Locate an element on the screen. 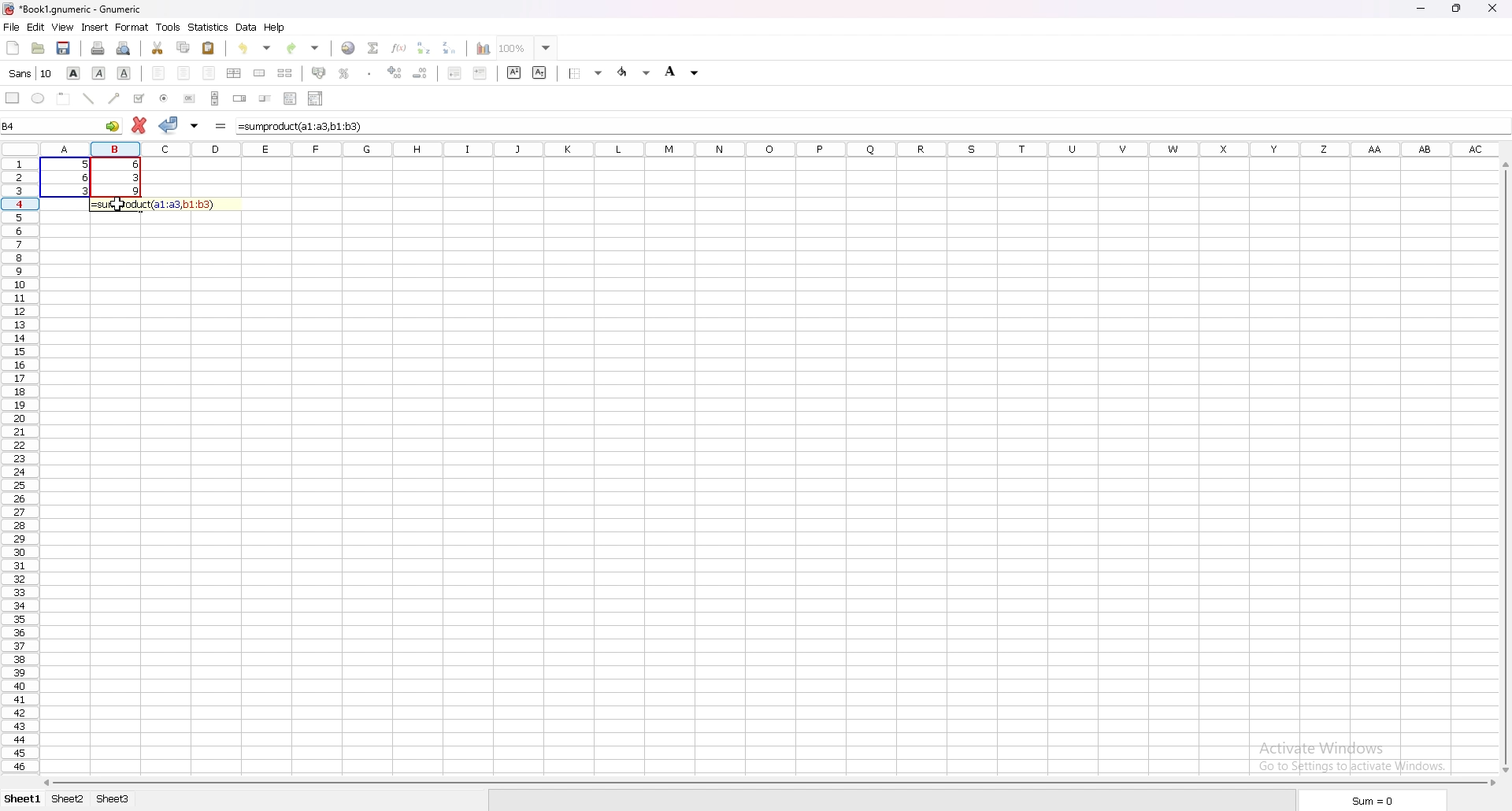  increase decimal is located at coordinates (395, 72).